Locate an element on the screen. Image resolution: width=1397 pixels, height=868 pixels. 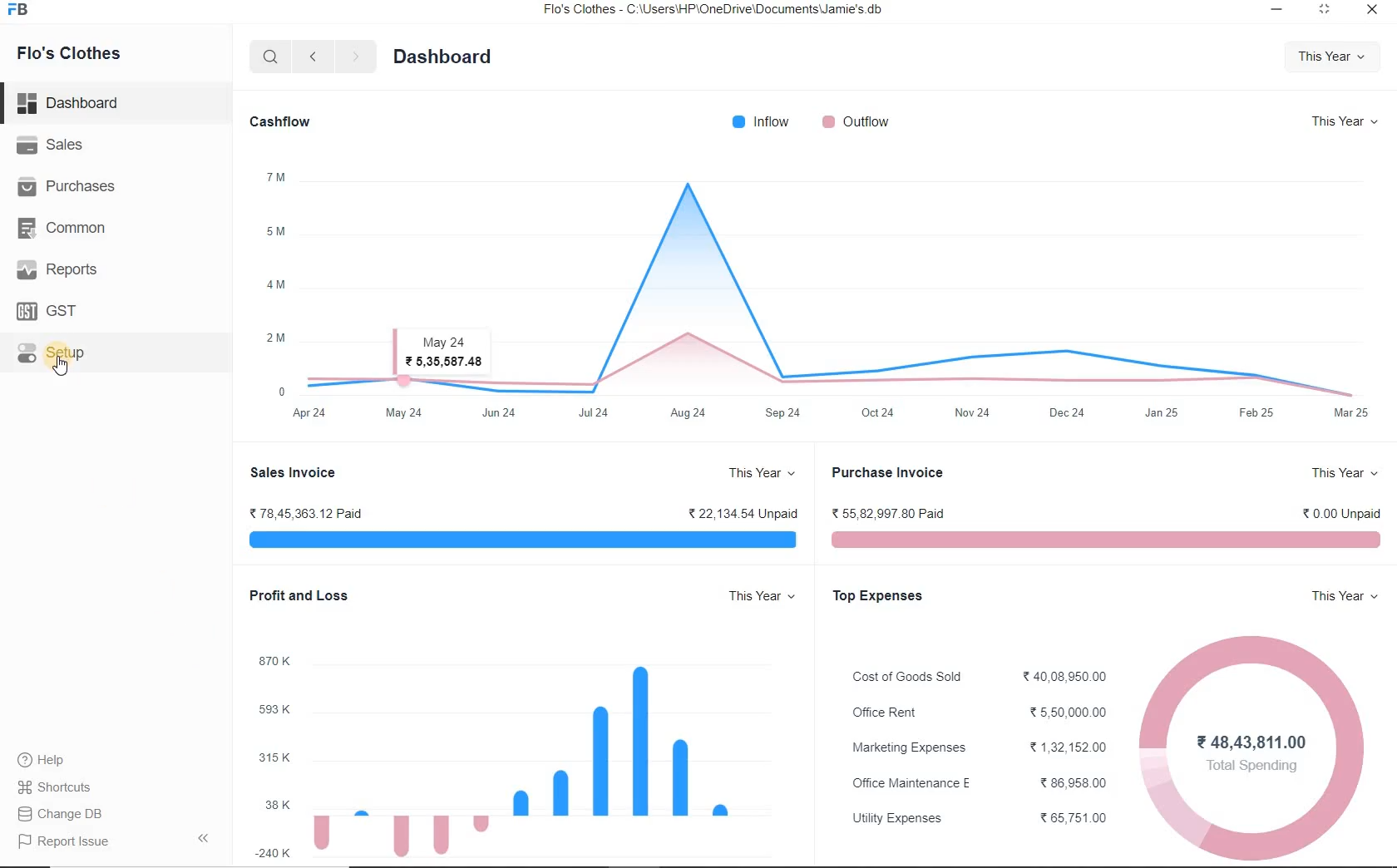
This Year  is located at coordinates (1344, 596).